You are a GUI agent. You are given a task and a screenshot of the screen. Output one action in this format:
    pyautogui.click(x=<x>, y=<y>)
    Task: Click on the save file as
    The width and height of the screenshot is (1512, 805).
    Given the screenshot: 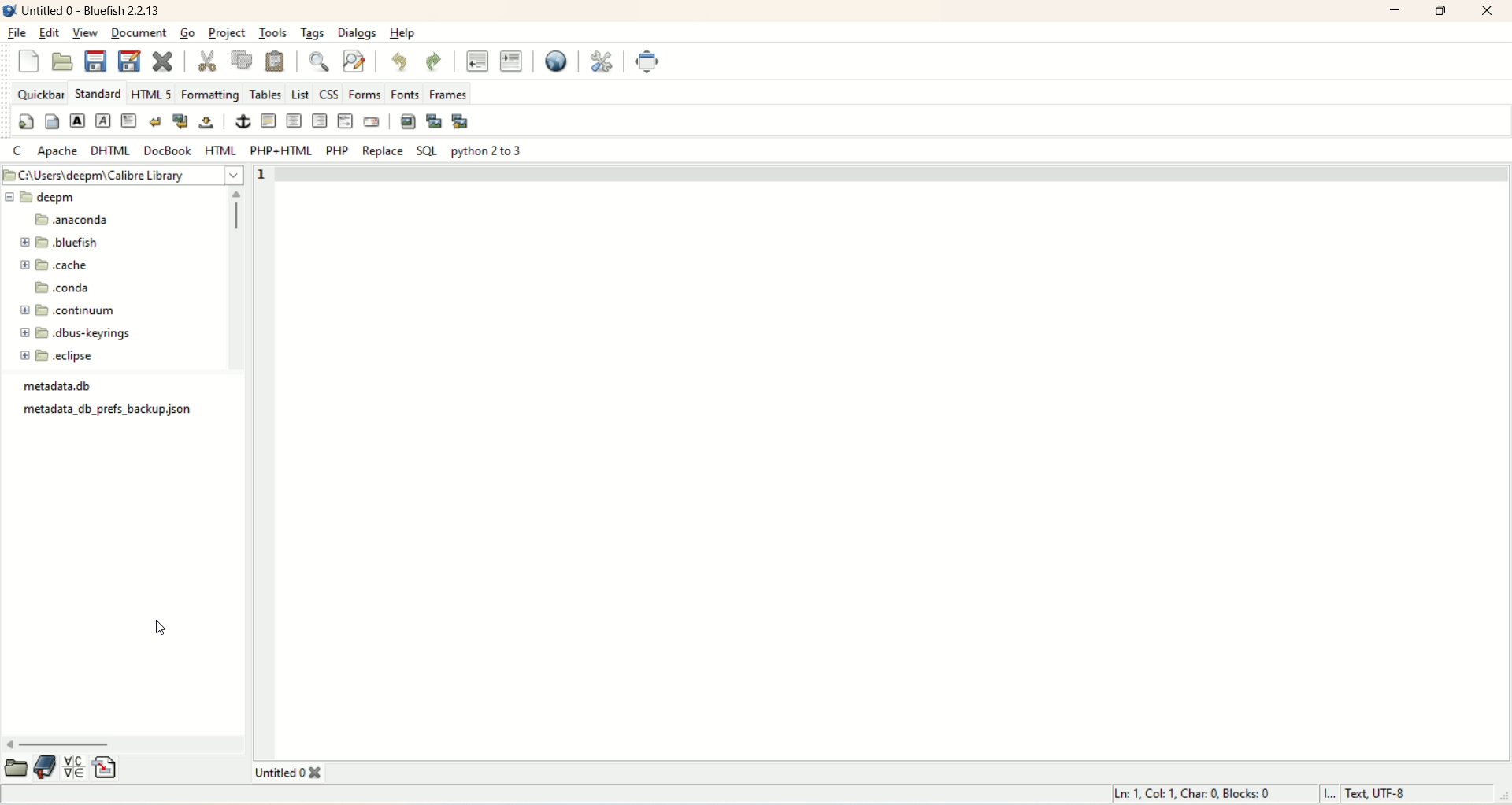 What is the action you would take?
    pyautogui.click(x=128, y=61)
    